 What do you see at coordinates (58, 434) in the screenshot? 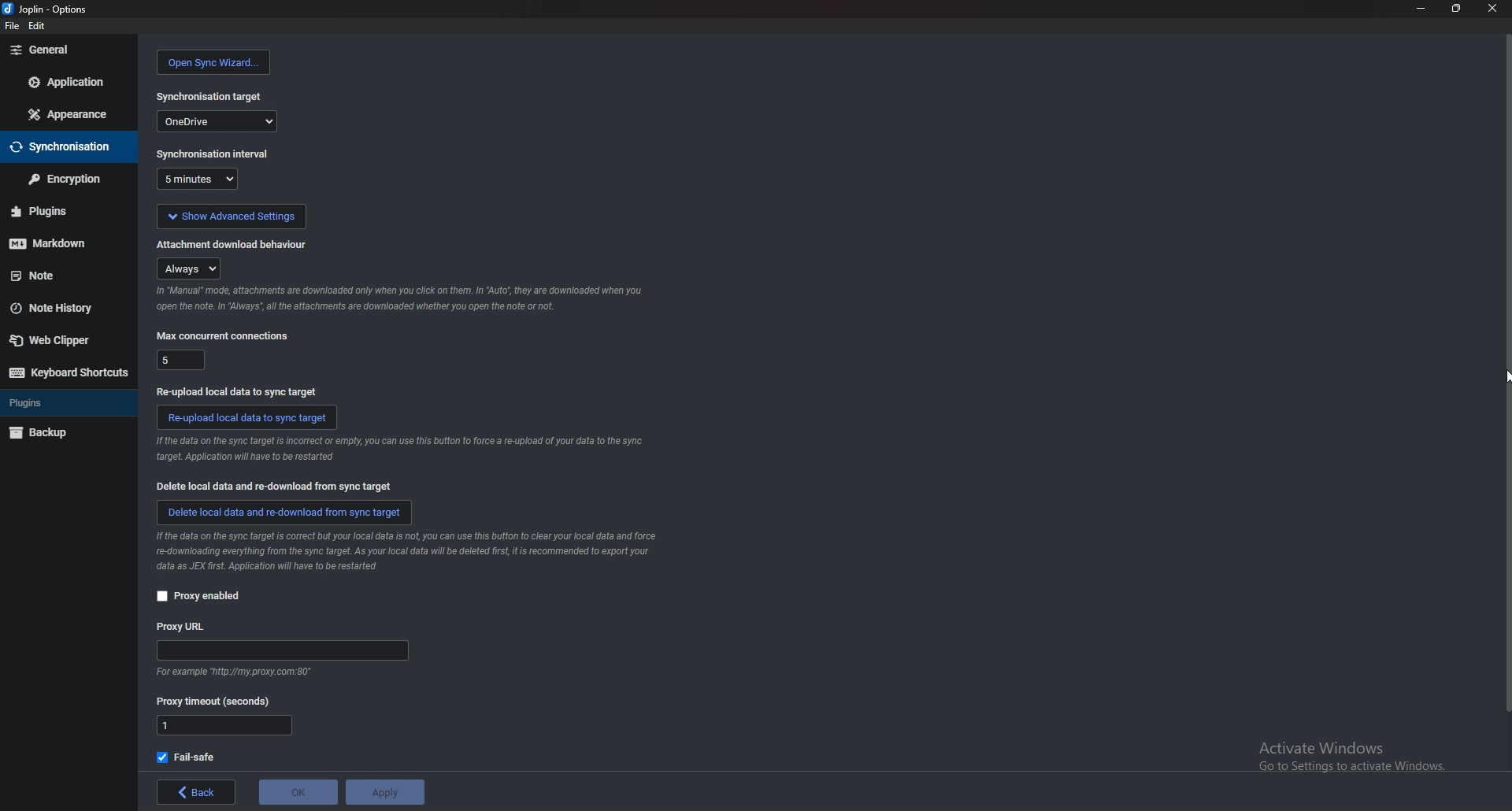
I see `backup` at bounding box center [58, 434].